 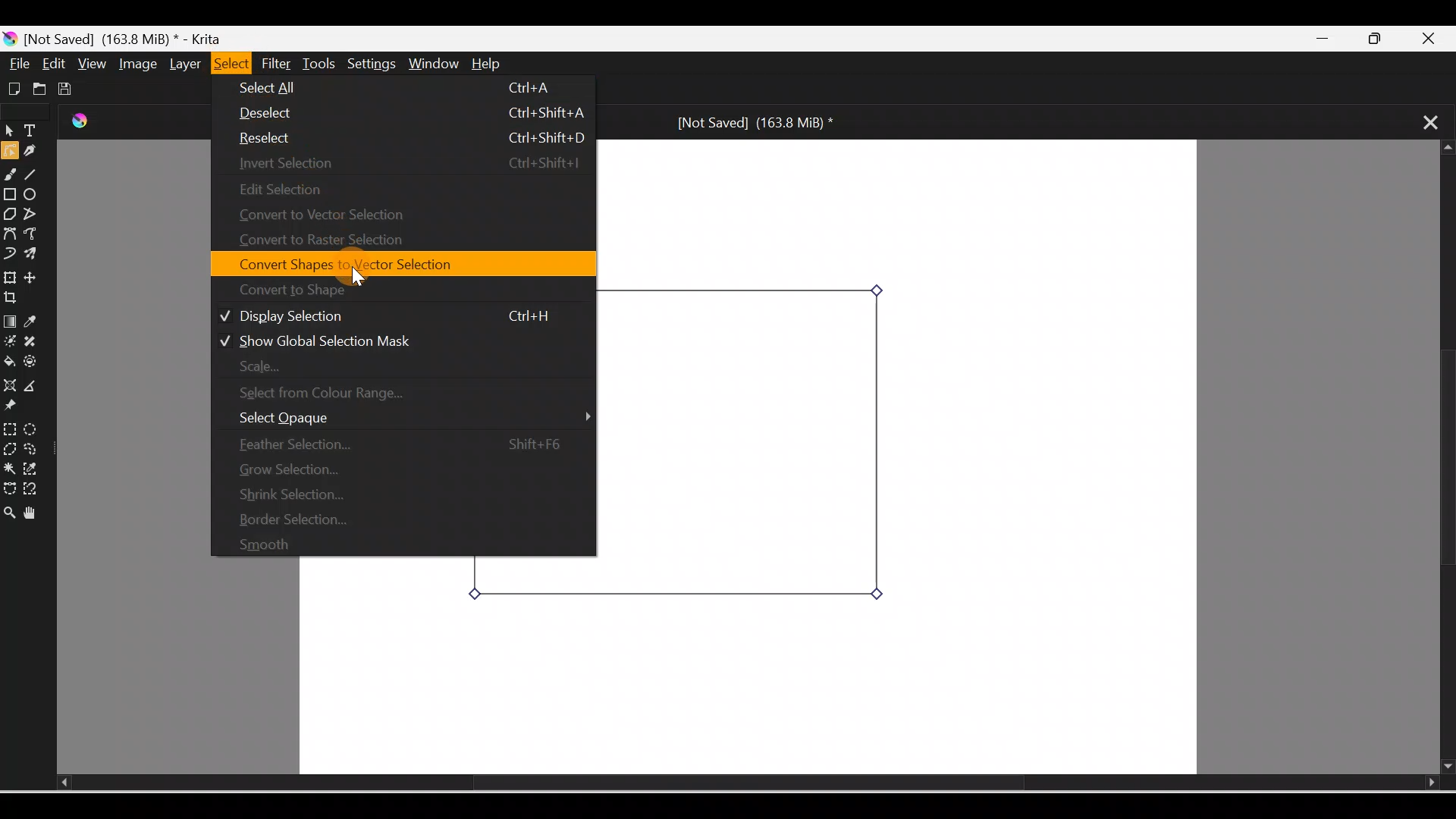 What do you see at coordinates (499, 65) in the screenshot?
I see `Help` at bounding box center [499, 65].